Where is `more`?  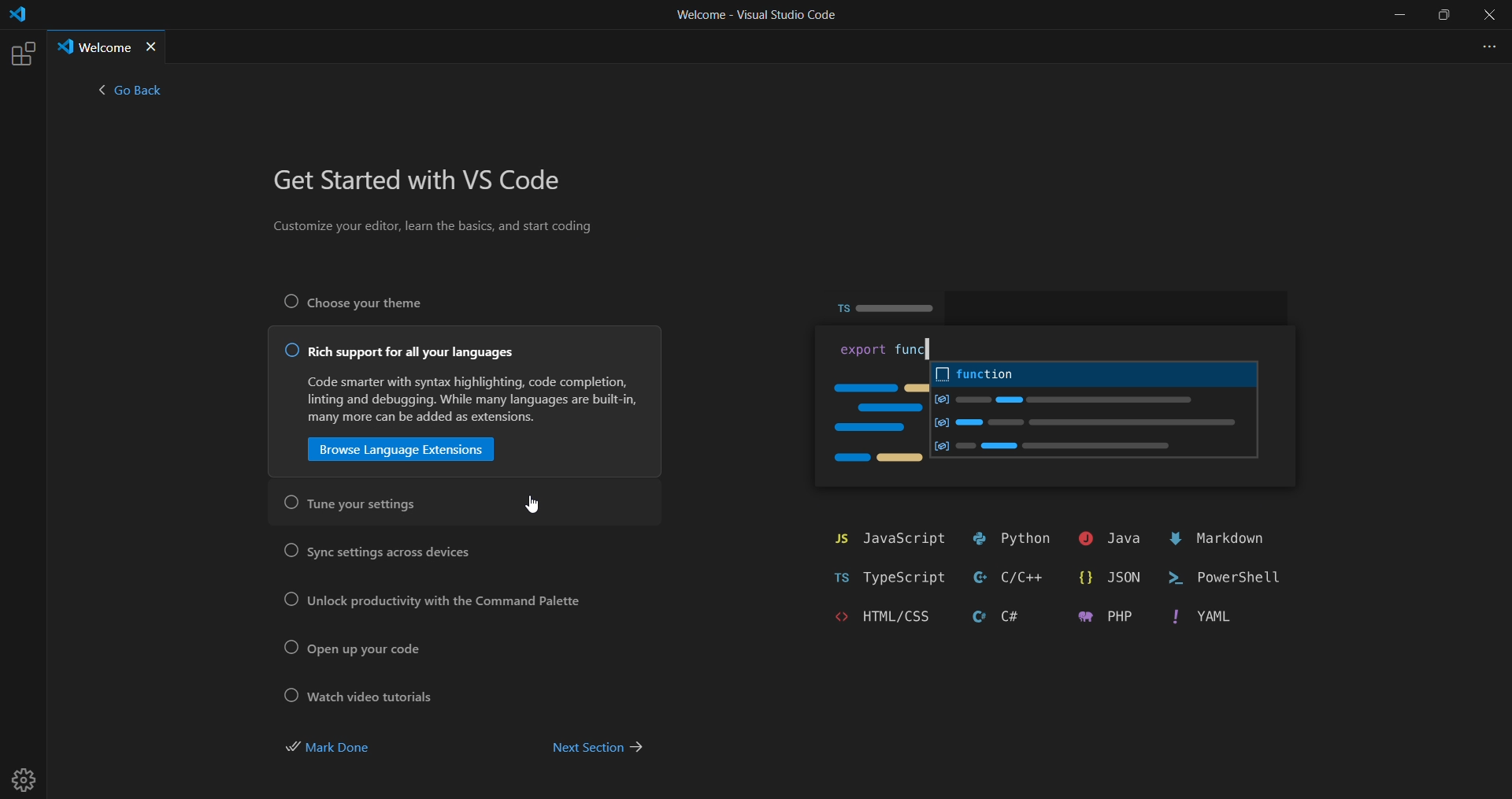 more is located at coordinates (1485, 45).